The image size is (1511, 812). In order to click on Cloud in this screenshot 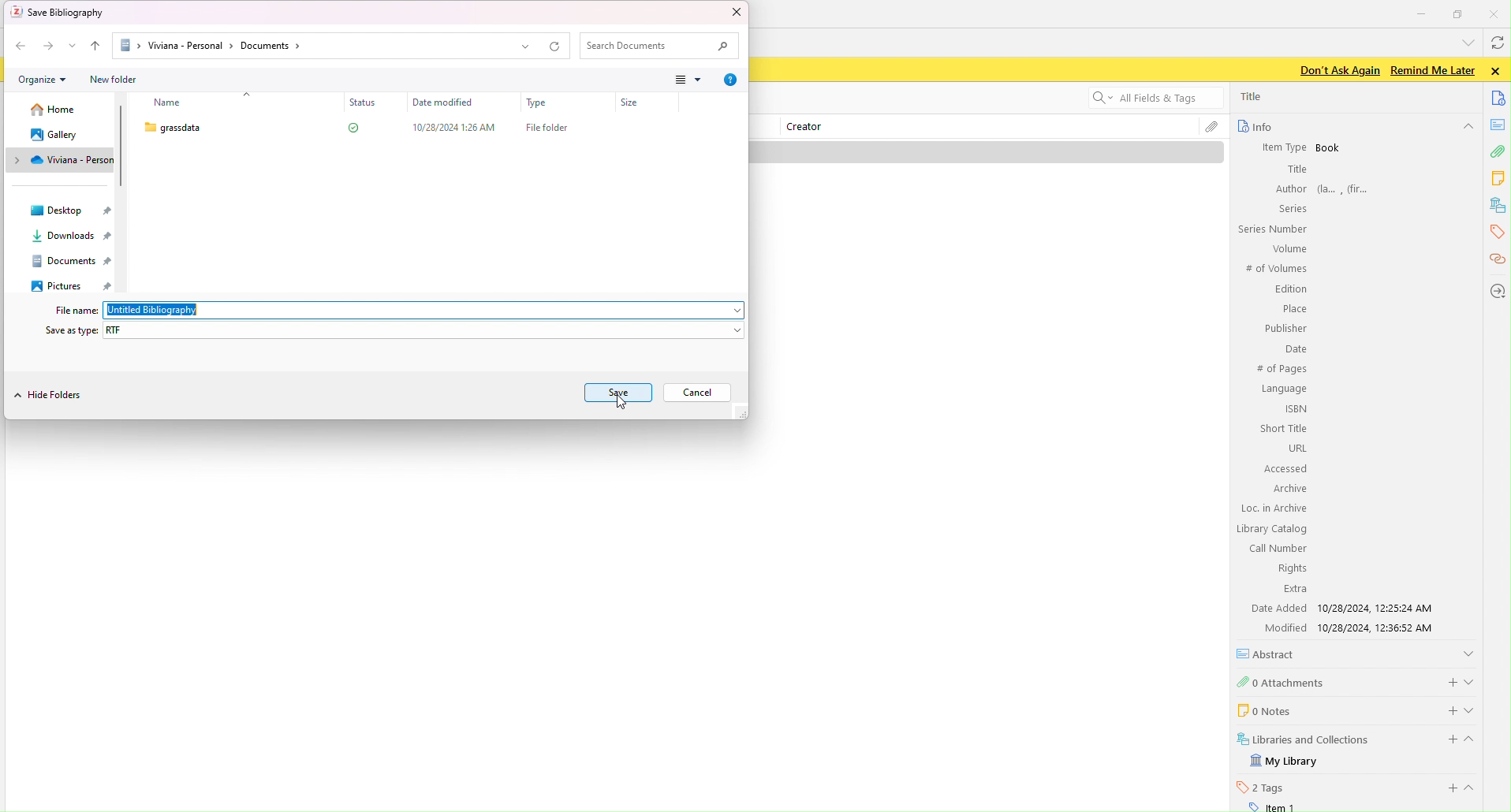, I will do `click(65, 159)`.